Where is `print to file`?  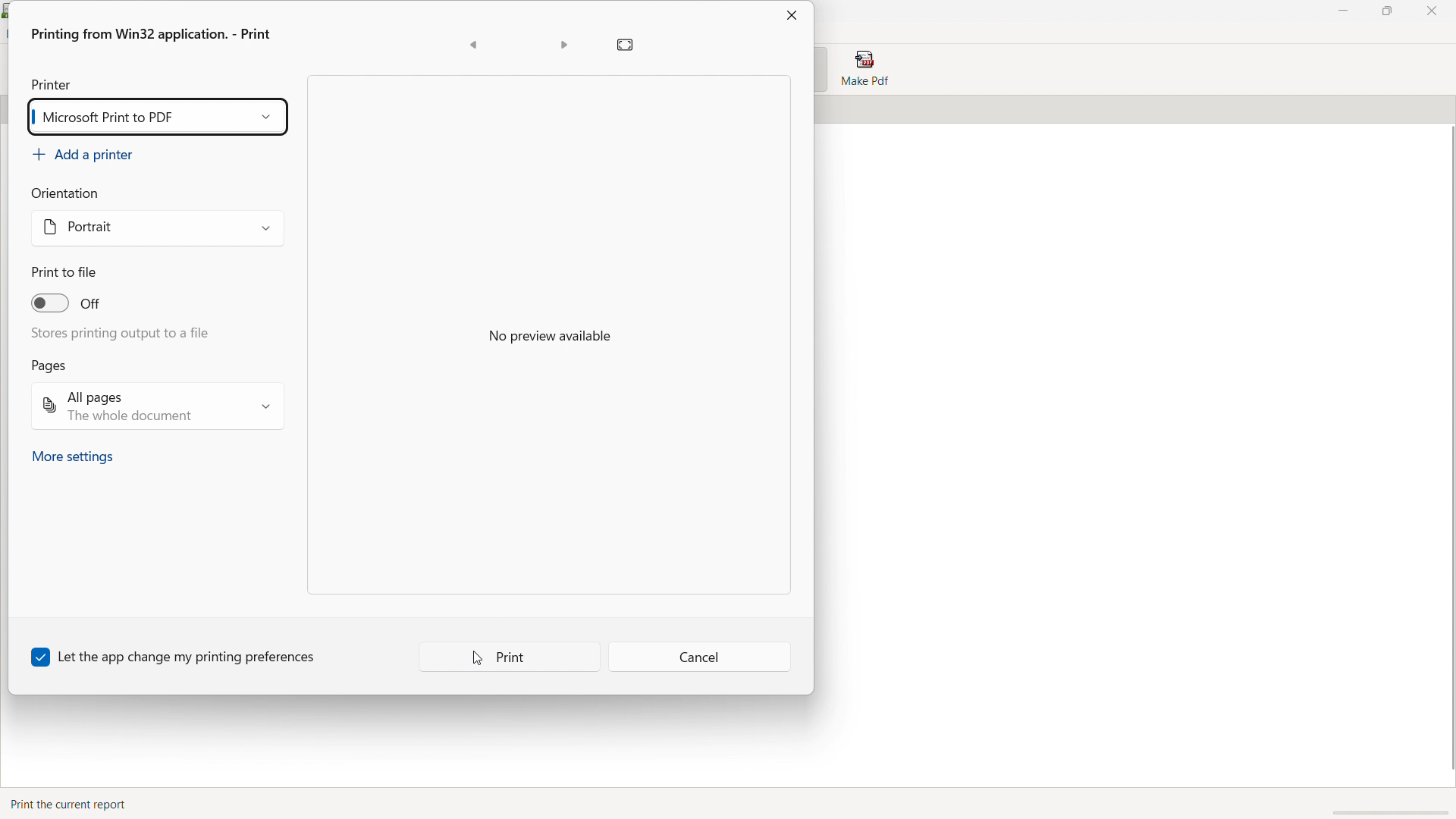 print to file is located at coordinates (67, 300).